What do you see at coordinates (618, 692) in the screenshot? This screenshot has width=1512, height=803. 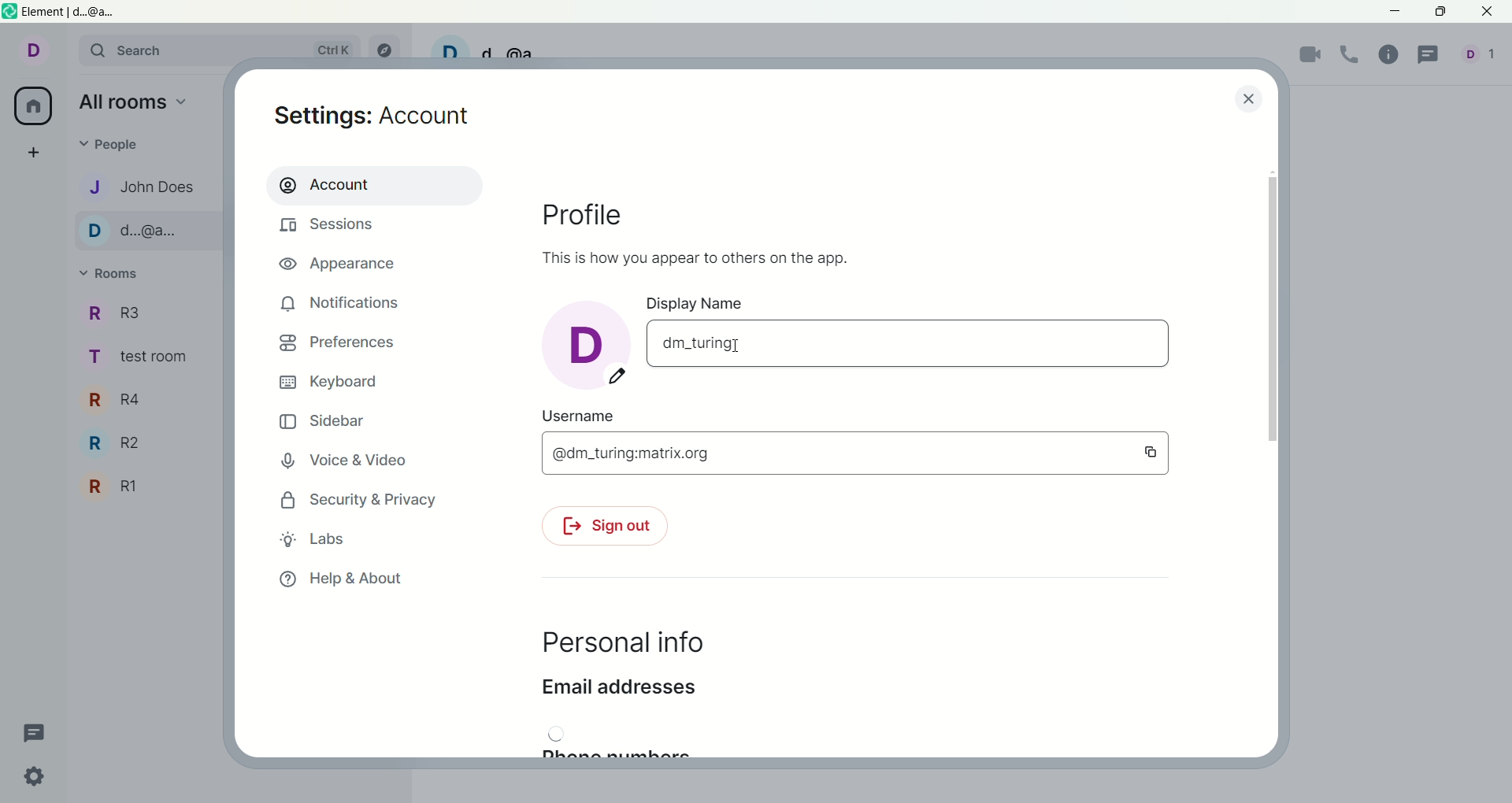 I see `email address` at bounding box center [618, 692].